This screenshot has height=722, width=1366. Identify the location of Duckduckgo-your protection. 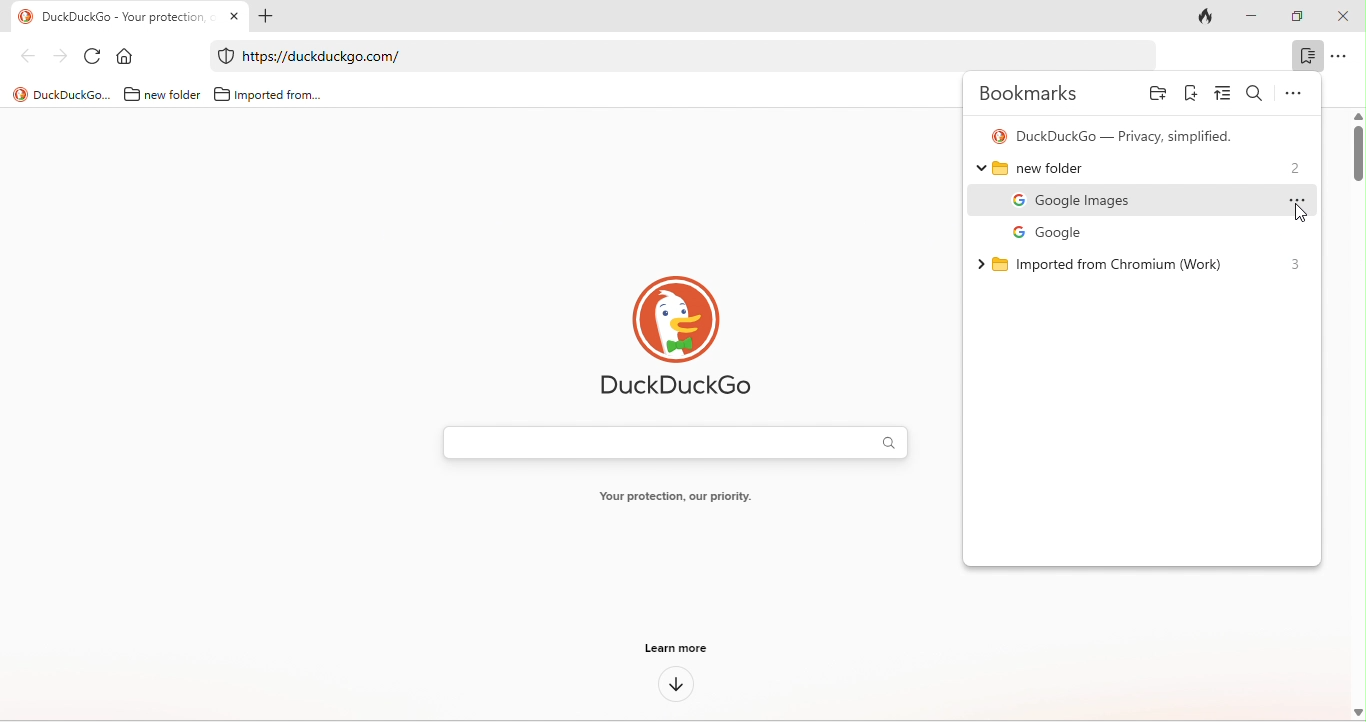
(122, 15).